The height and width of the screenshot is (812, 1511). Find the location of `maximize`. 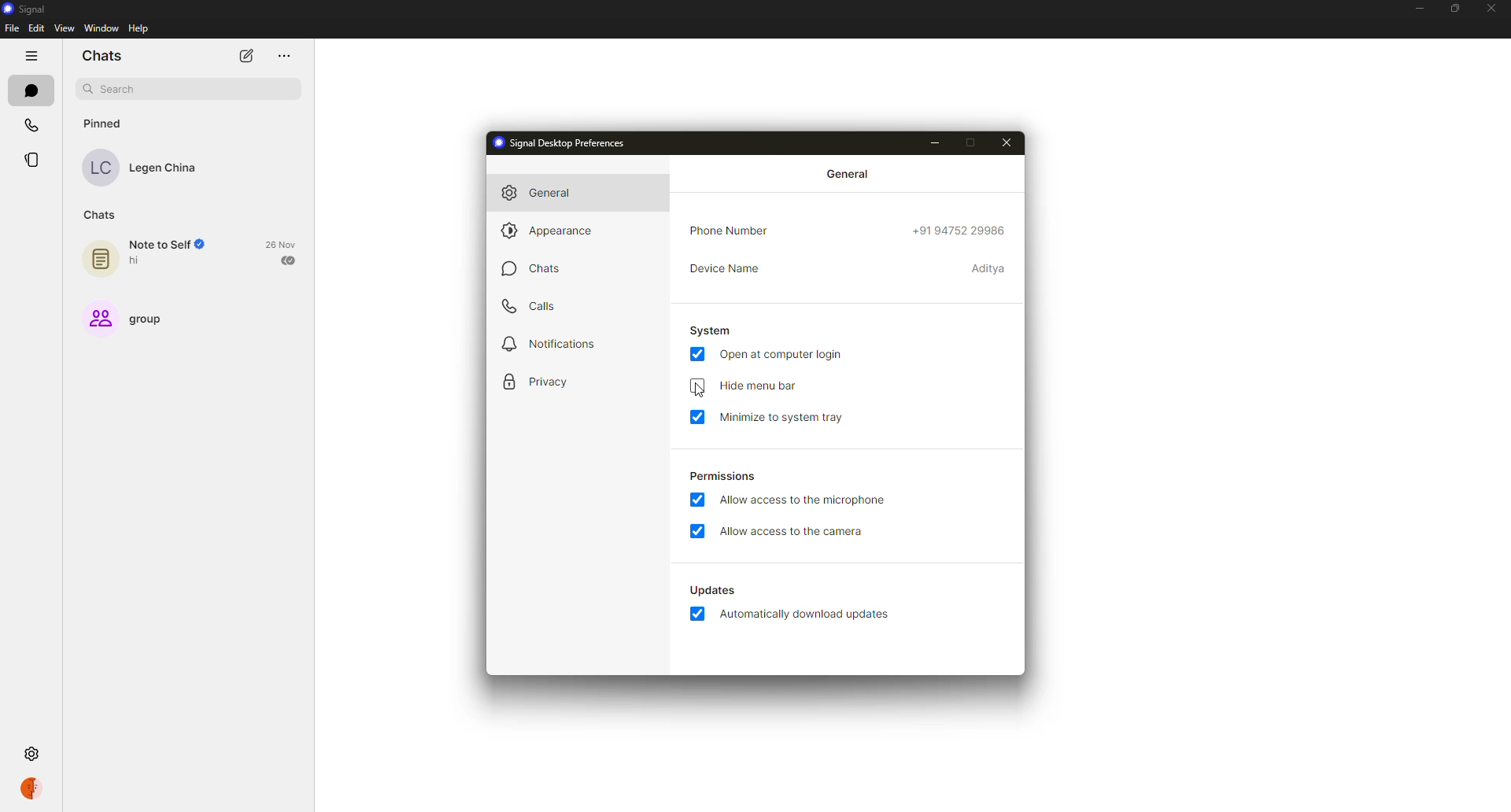

maximize is located at coordinates (1455, 7).